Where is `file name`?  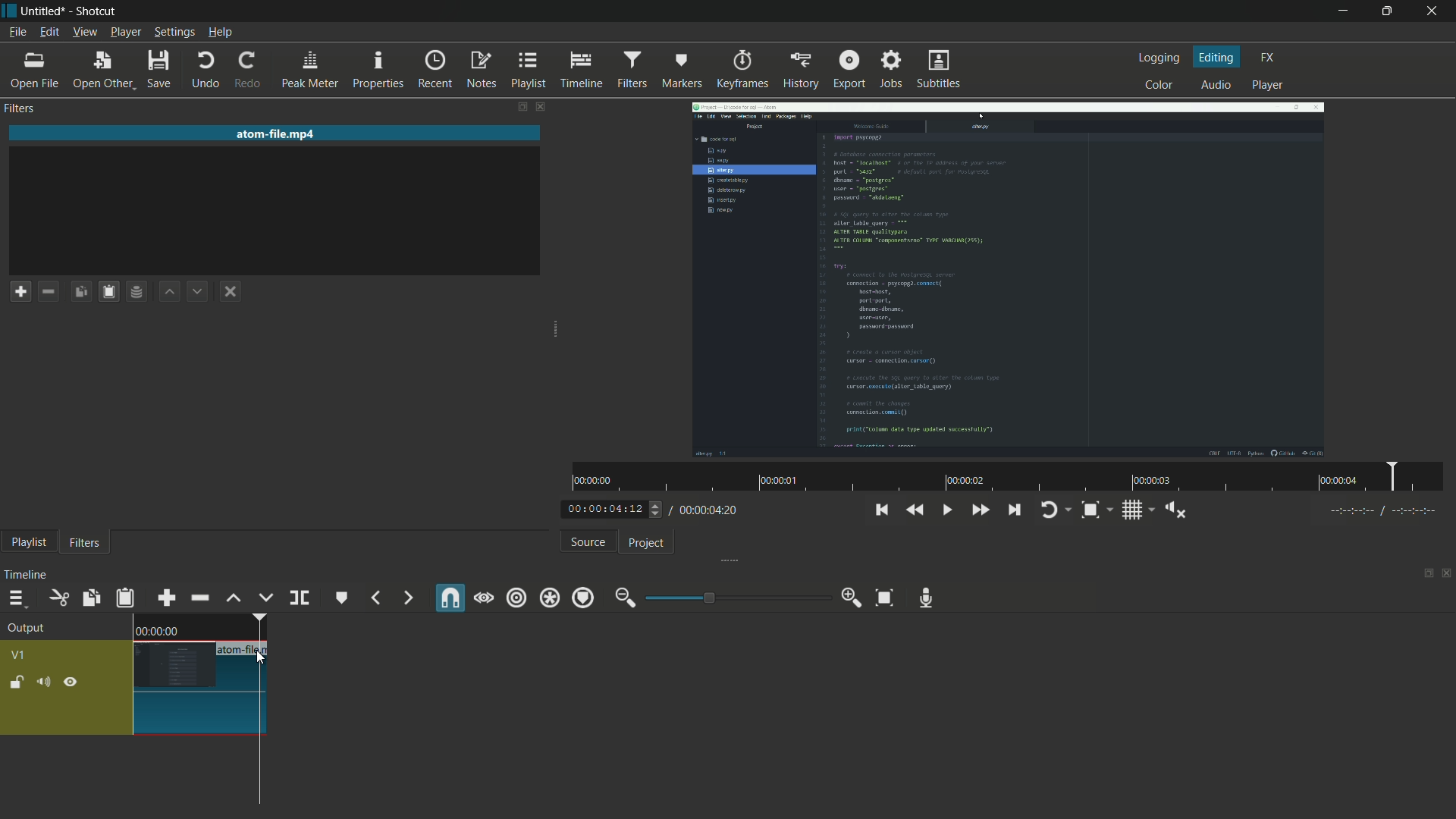
file name is located at coordinates (44, 11).